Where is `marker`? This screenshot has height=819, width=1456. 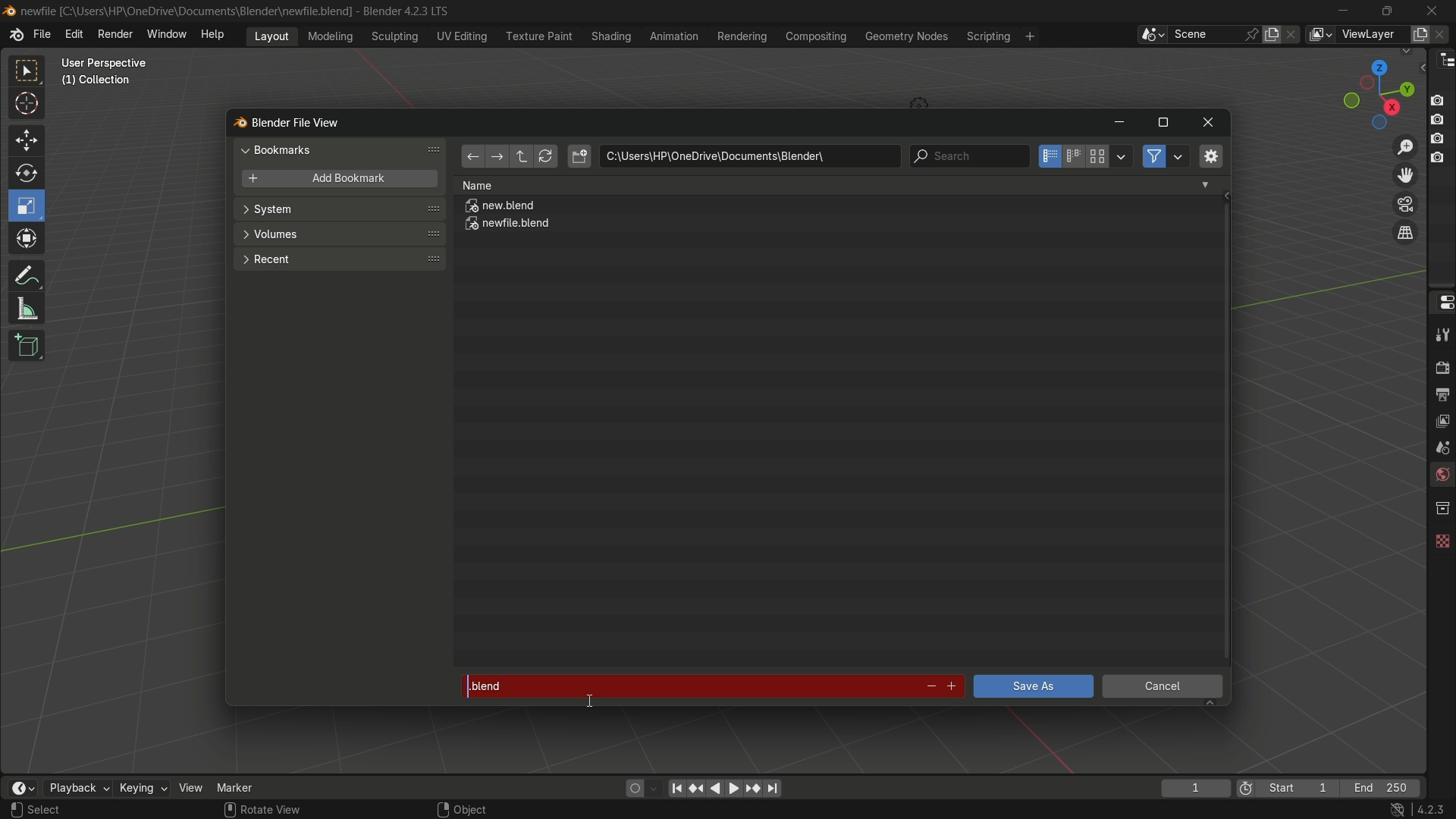
marker is located at coordinates (246, 786).